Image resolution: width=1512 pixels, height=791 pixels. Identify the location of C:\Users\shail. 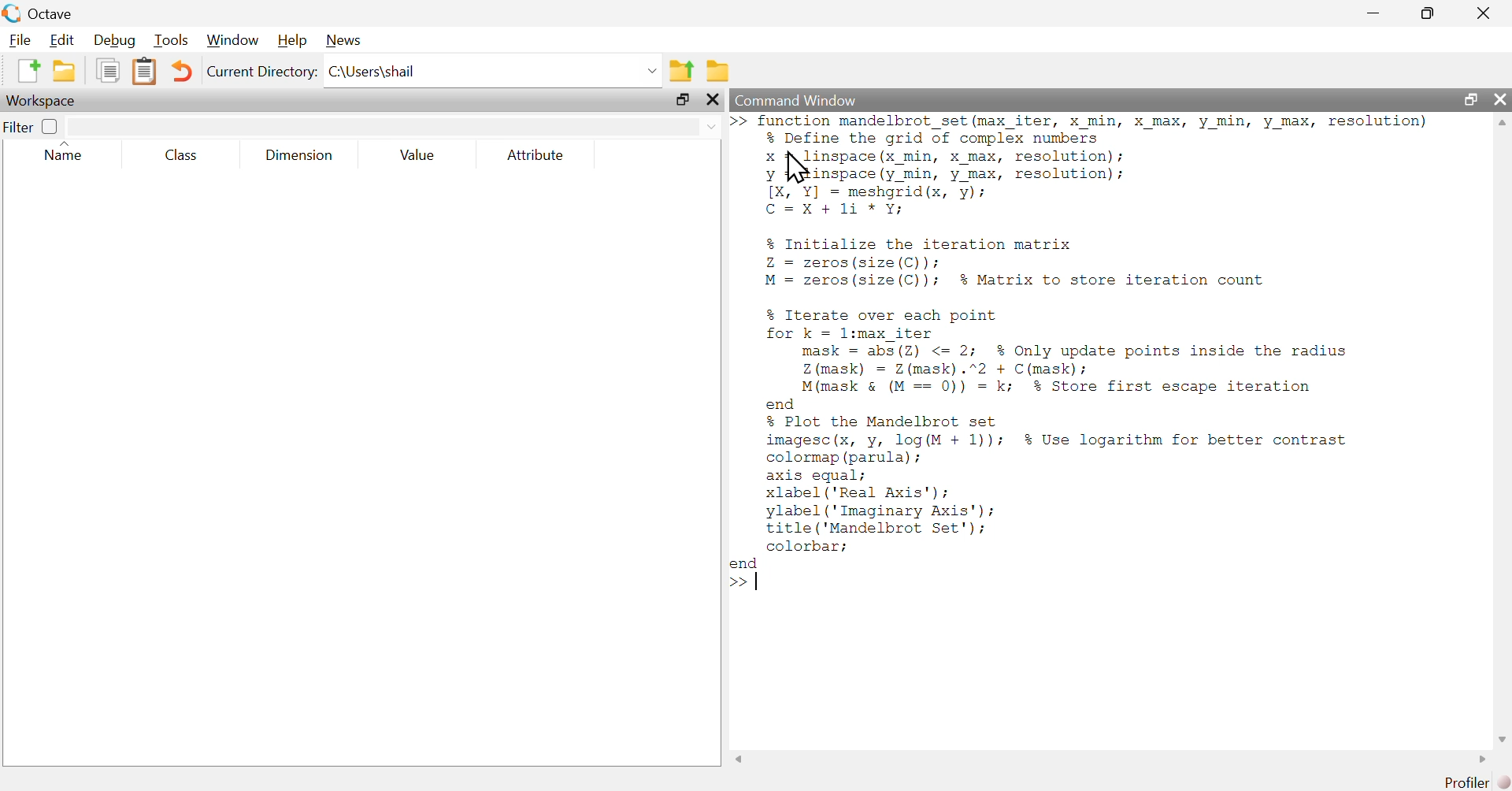
(493, 71).